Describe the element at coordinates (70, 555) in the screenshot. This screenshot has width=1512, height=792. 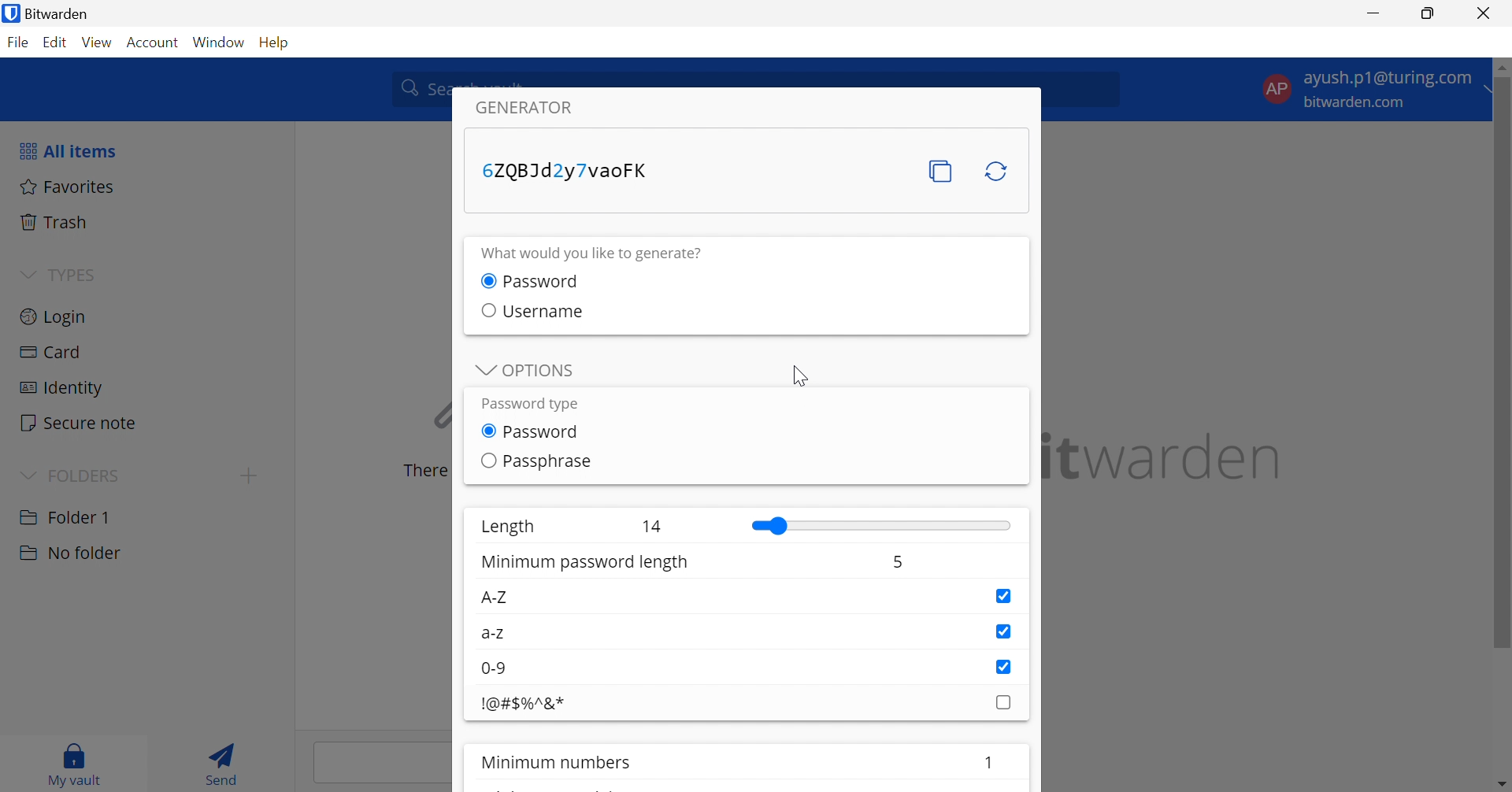
I see `No folder` at that location.